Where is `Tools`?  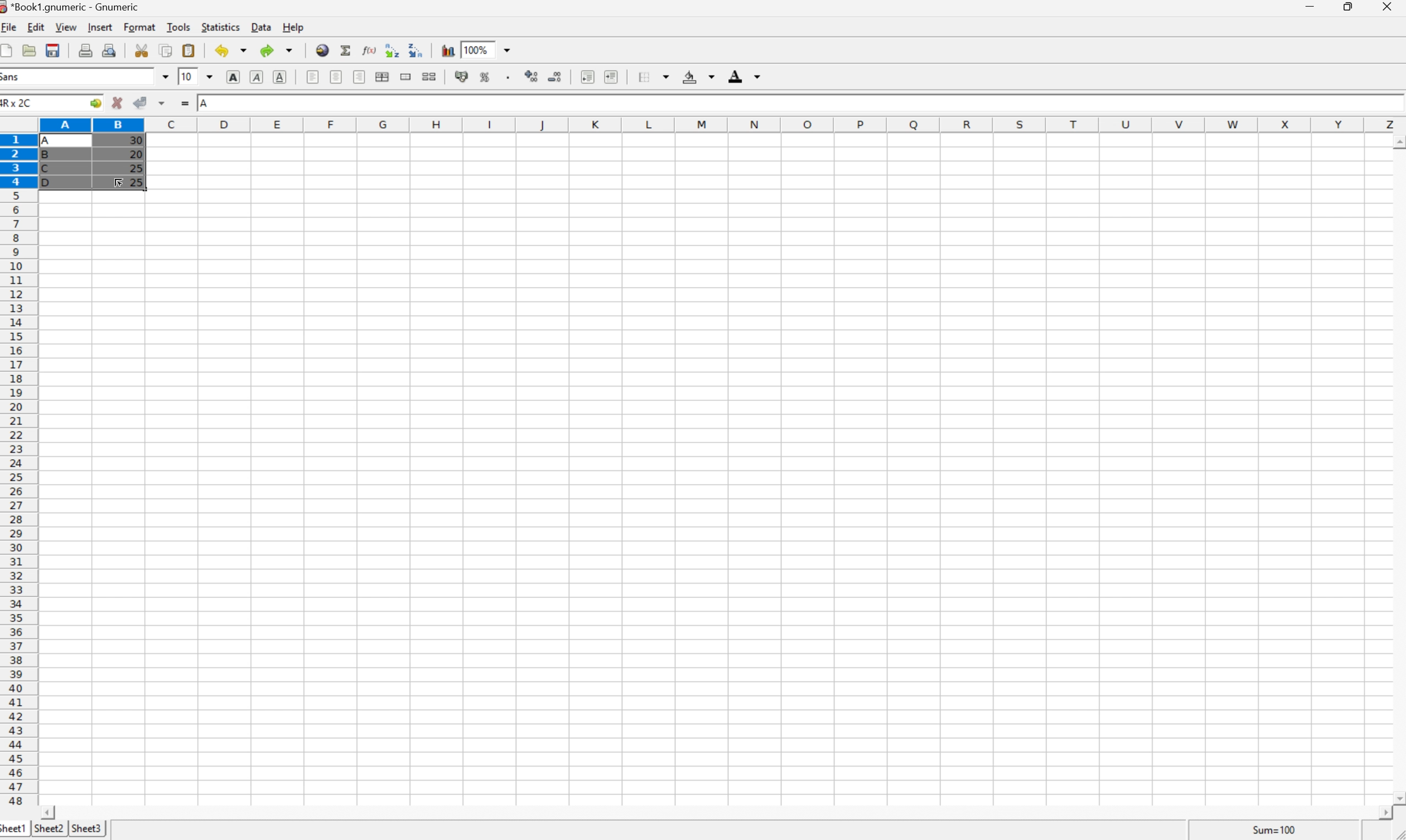
Tools is located at coordinates (178, 27).